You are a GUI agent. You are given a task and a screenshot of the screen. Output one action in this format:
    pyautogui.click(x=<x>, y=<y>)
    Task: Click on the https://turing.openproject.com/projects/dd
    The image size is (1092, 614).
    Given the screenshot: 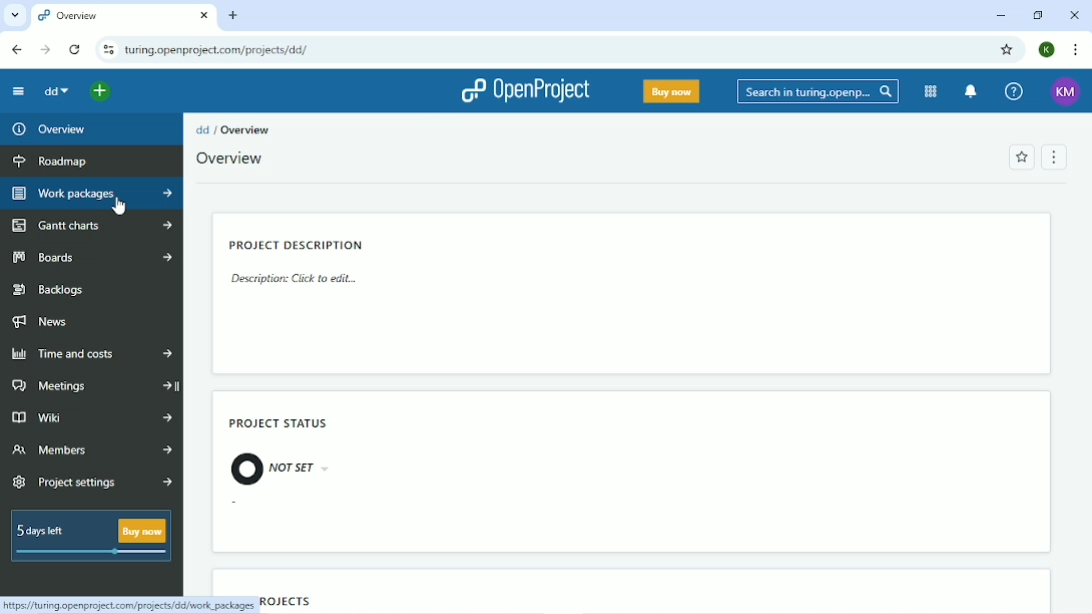 What is the action you would take?
    pyautogui.click(x=126, y=605)
    